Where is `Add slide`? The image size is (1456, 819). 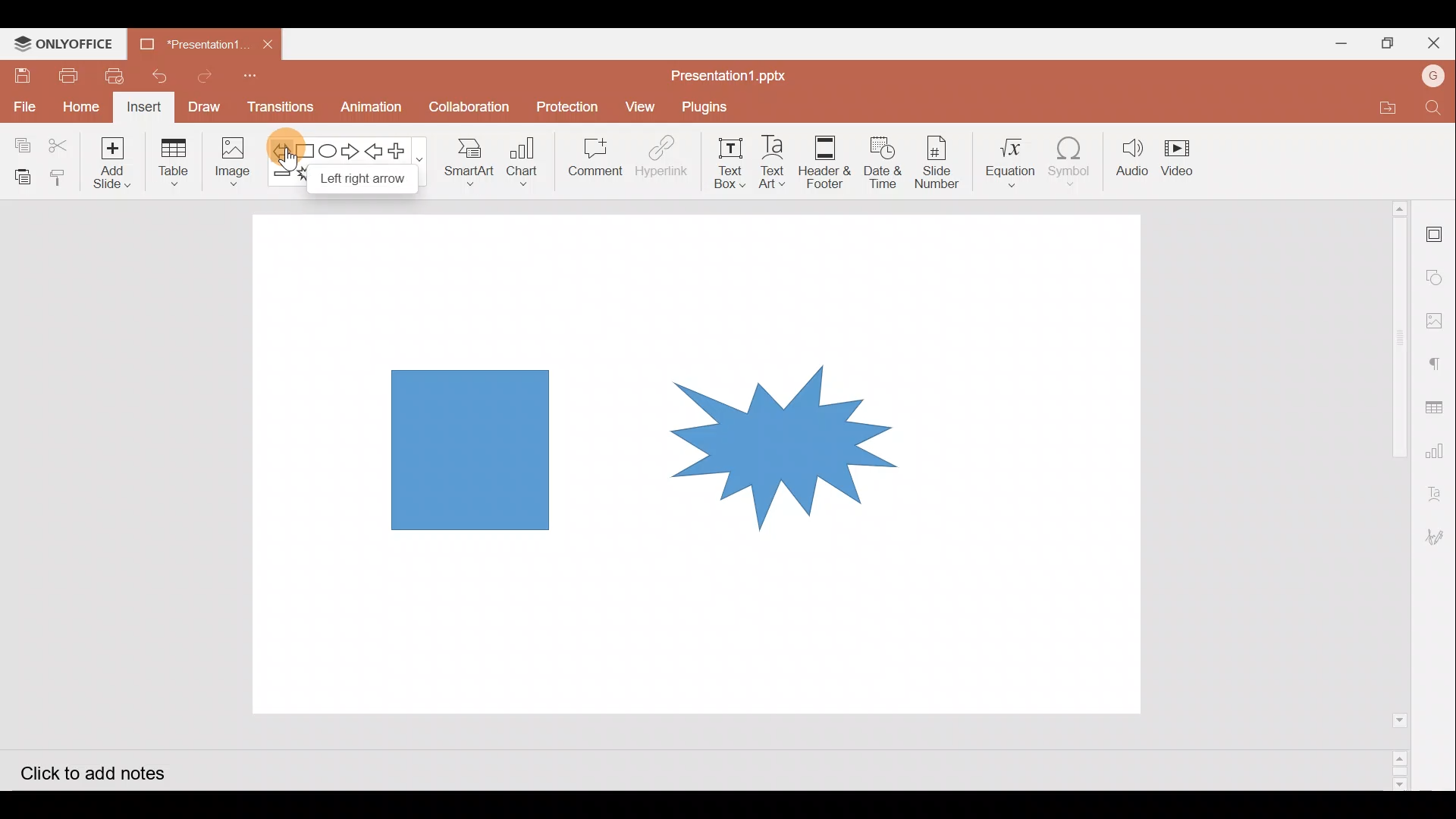
Add slide is located at coordinates (119, 163).